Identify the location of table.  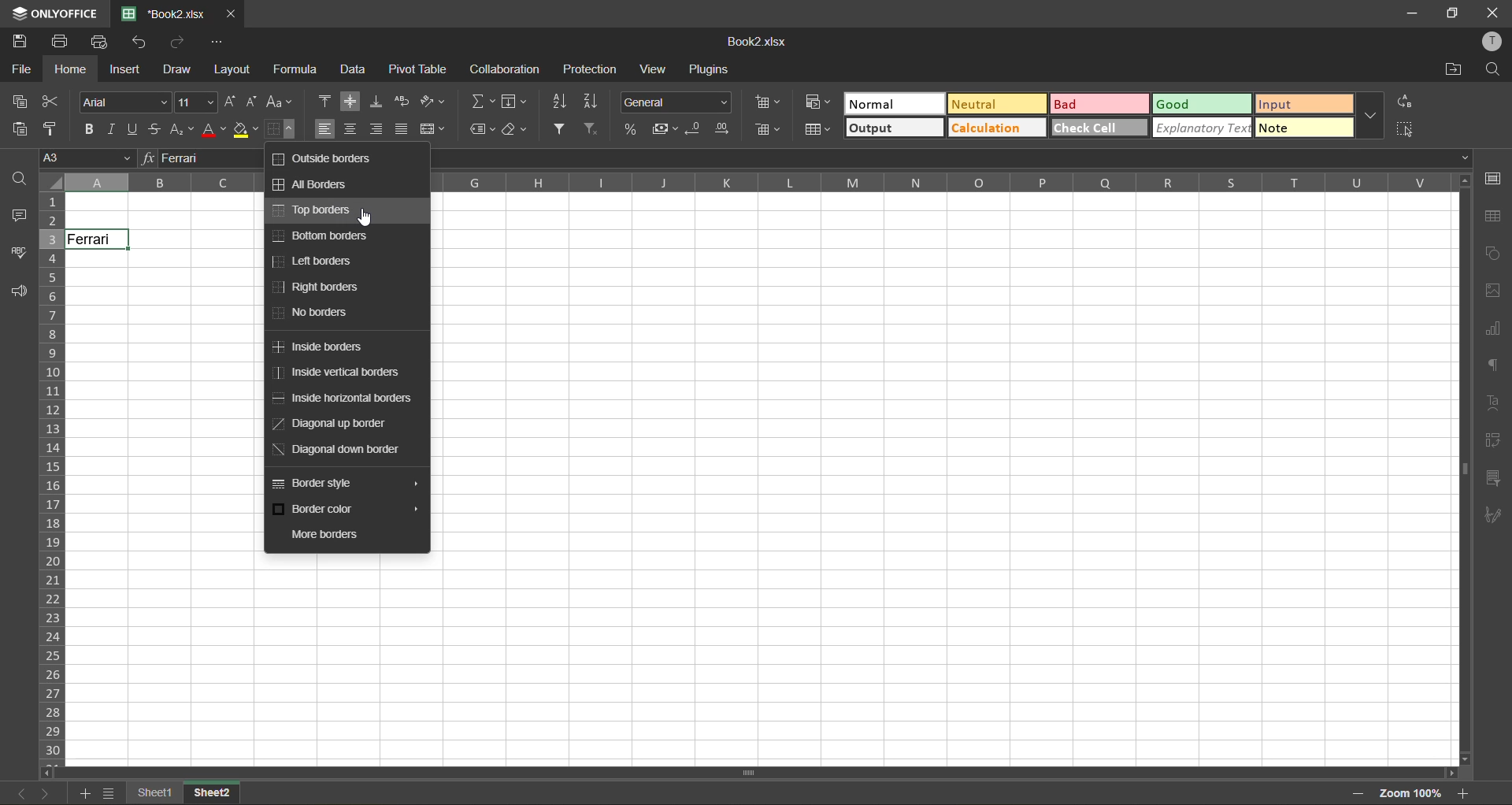
(1492, 216).